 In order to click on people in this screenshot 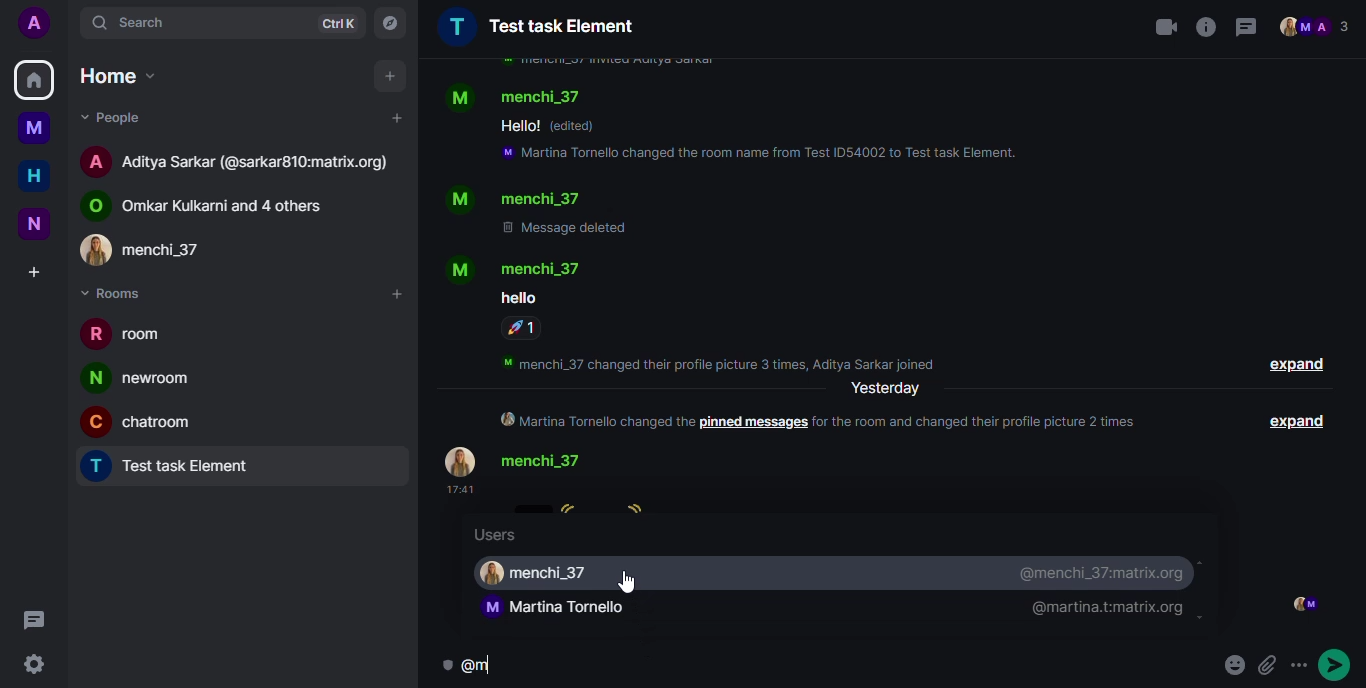, I will do `click(1317, 27)`.